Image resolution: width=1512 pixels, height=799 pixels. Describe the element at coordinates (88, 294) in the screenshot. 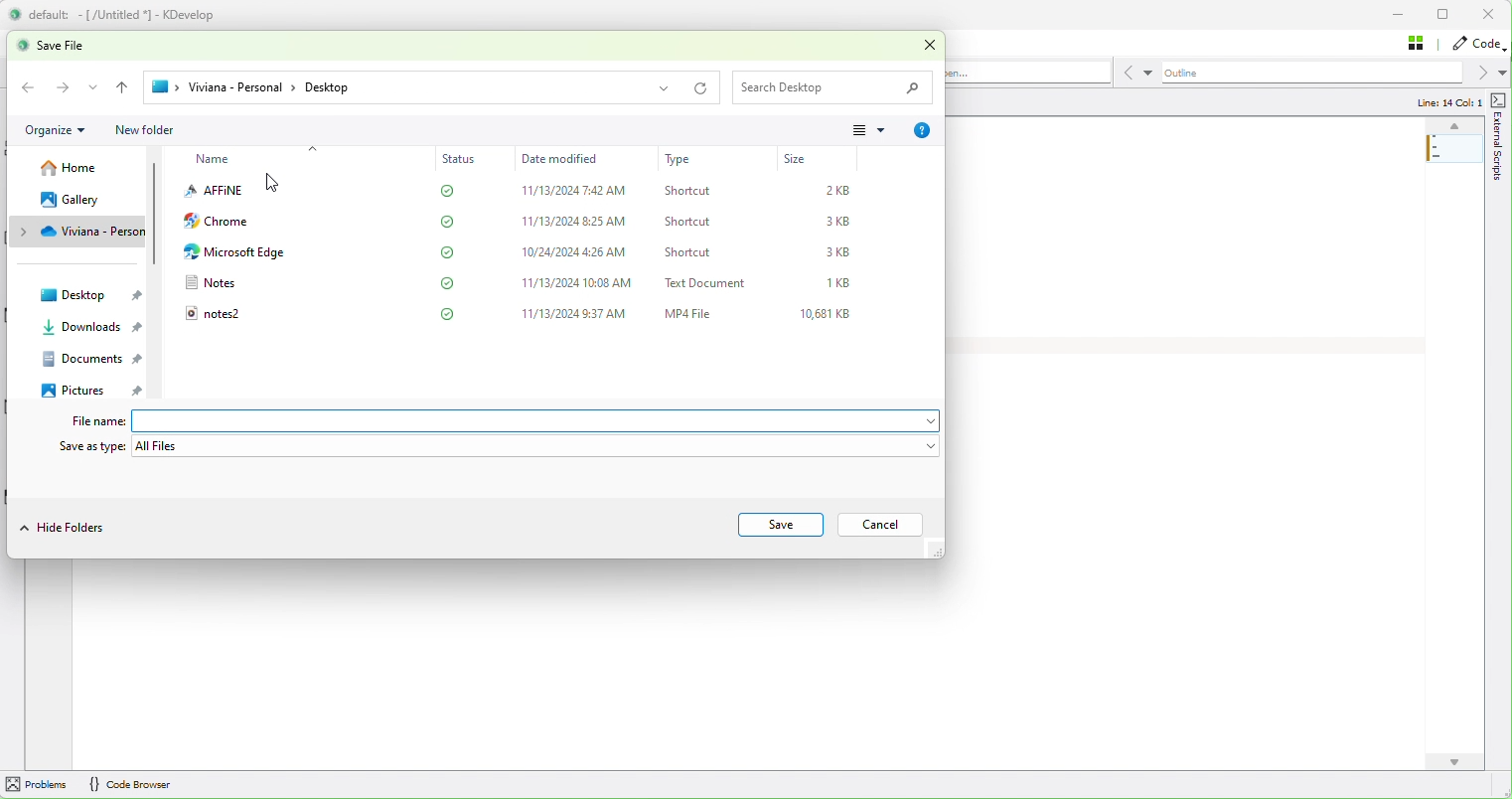

I see `Desktop` at that location.